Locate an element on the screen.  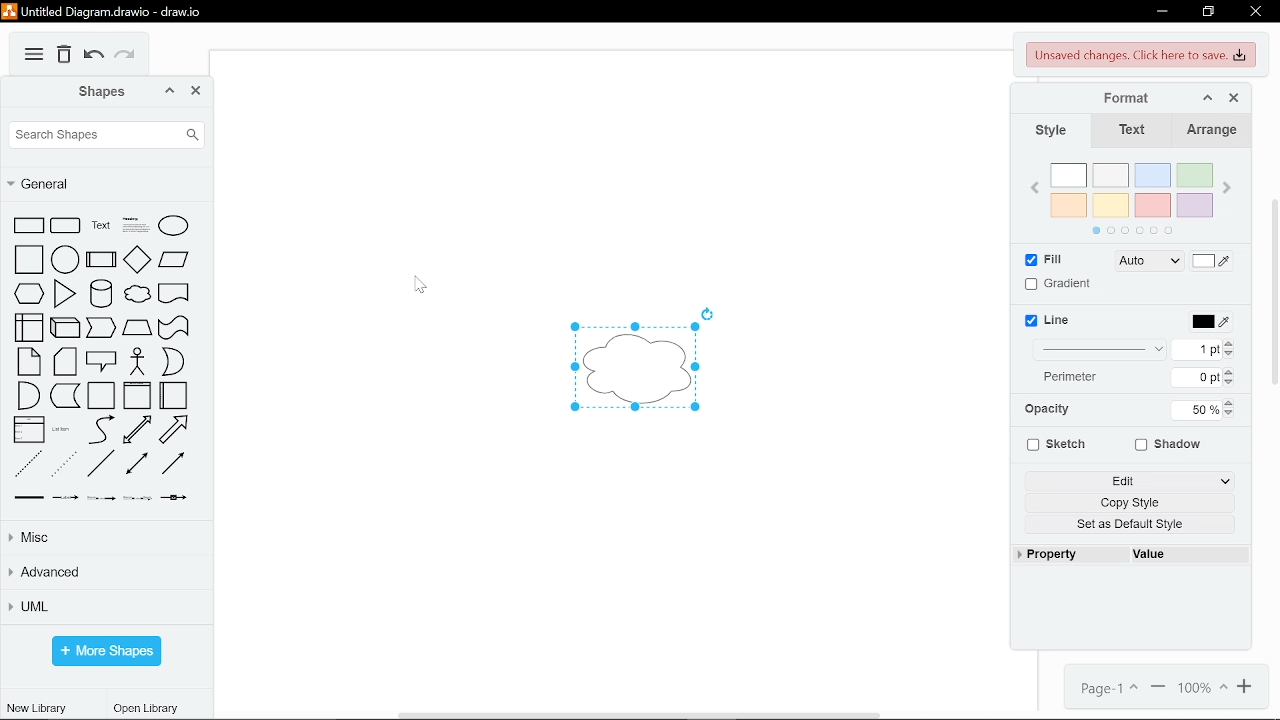
decrease opacity is located at coordinates (1232, 415).